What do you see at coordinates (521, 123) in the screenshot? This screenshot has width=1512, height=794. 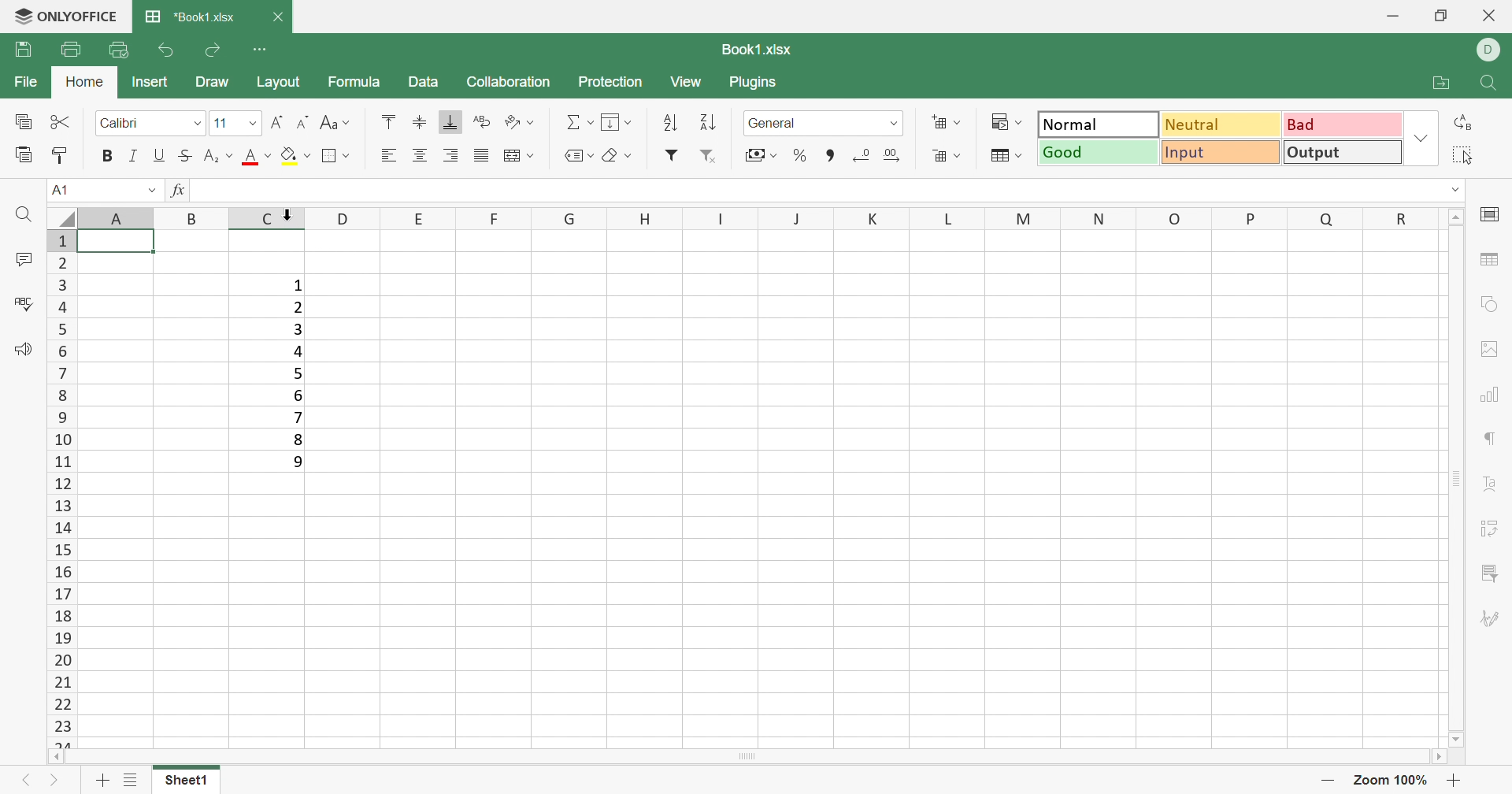 I see `Orientation` at bounding box center [521, 123].